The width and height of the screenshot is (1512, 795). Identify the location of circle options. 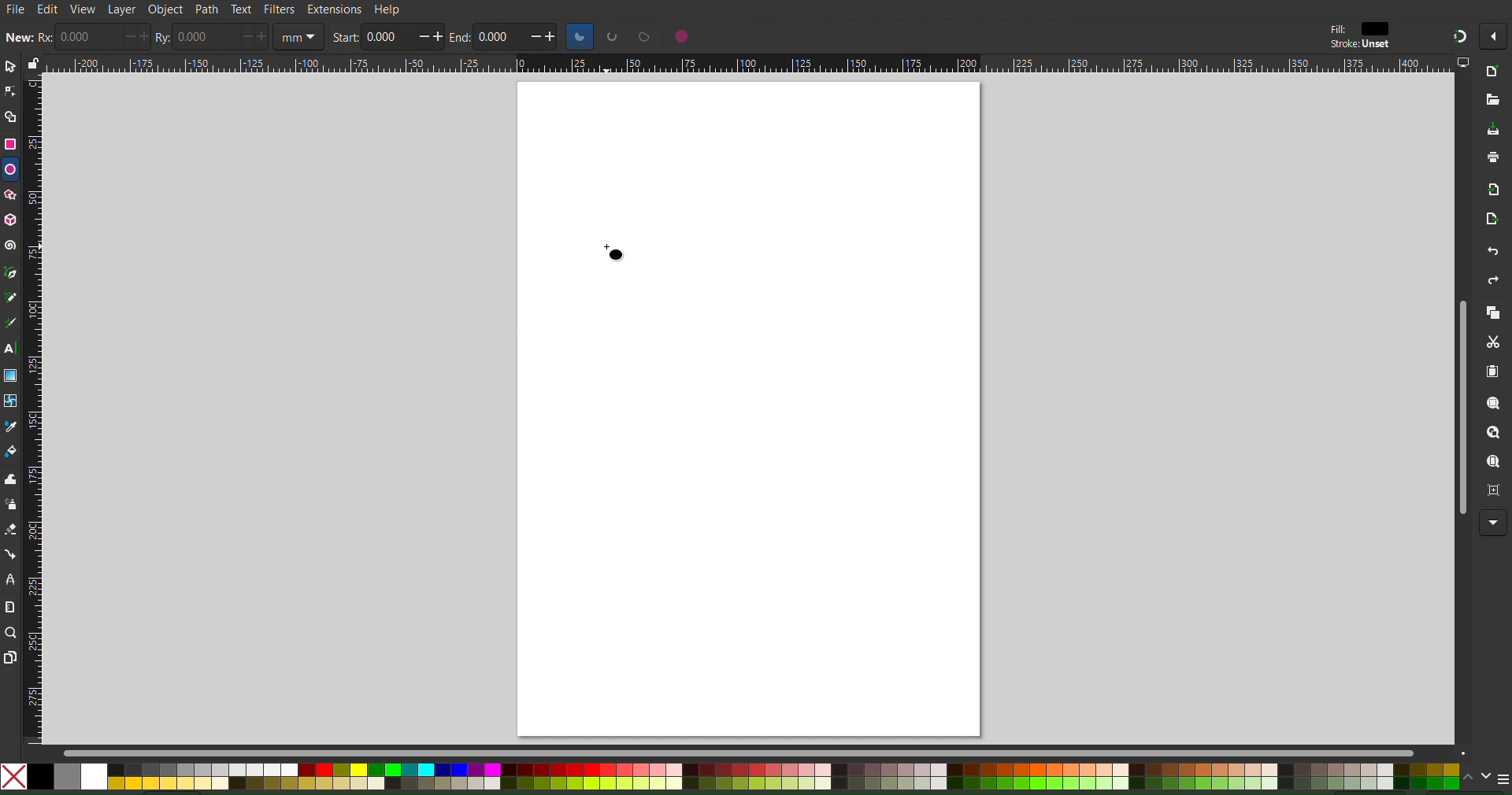
(580, 37).